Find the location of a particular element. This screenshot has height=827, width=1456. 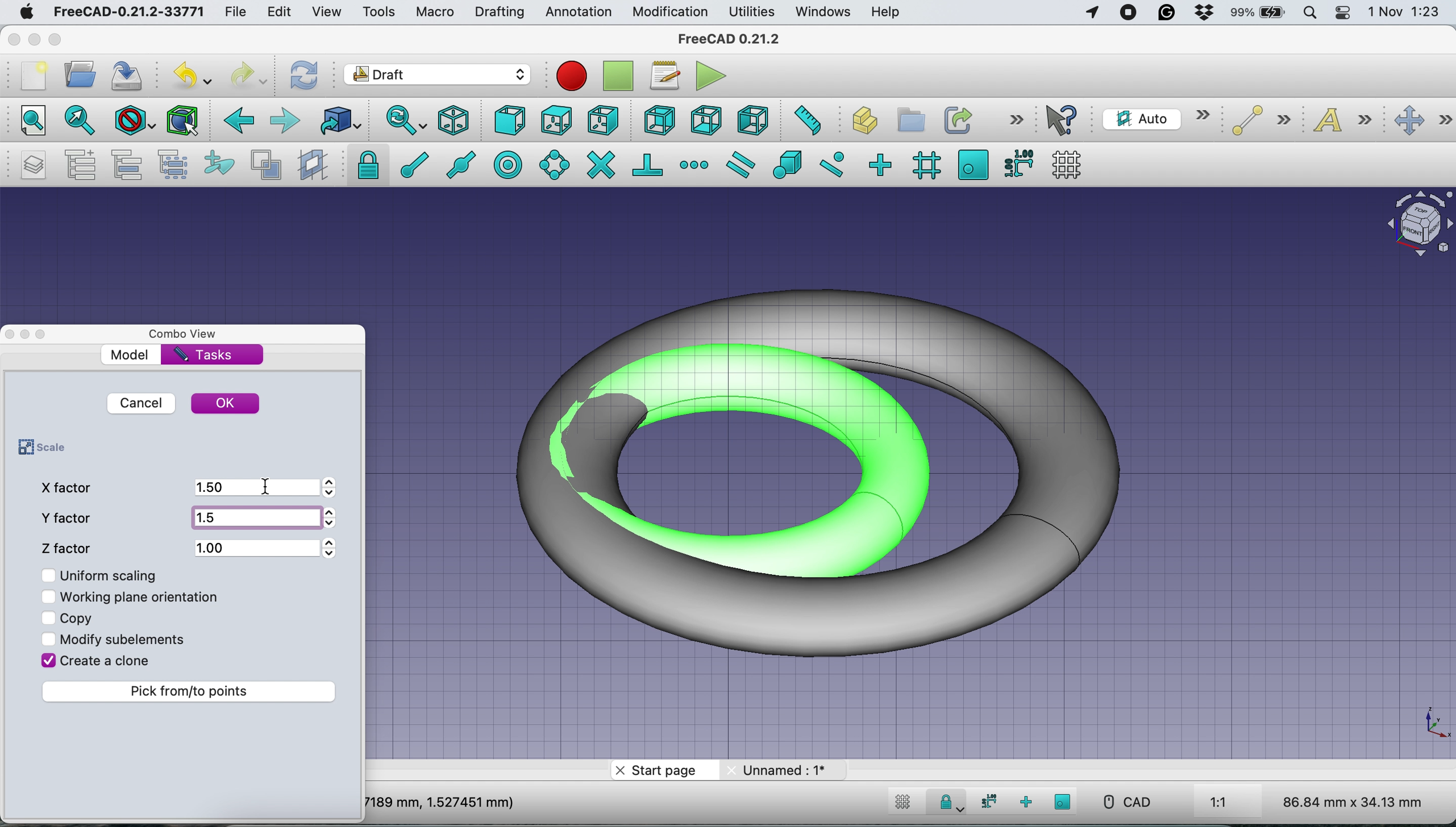

fit all selection is located at coordinates (77, 122).